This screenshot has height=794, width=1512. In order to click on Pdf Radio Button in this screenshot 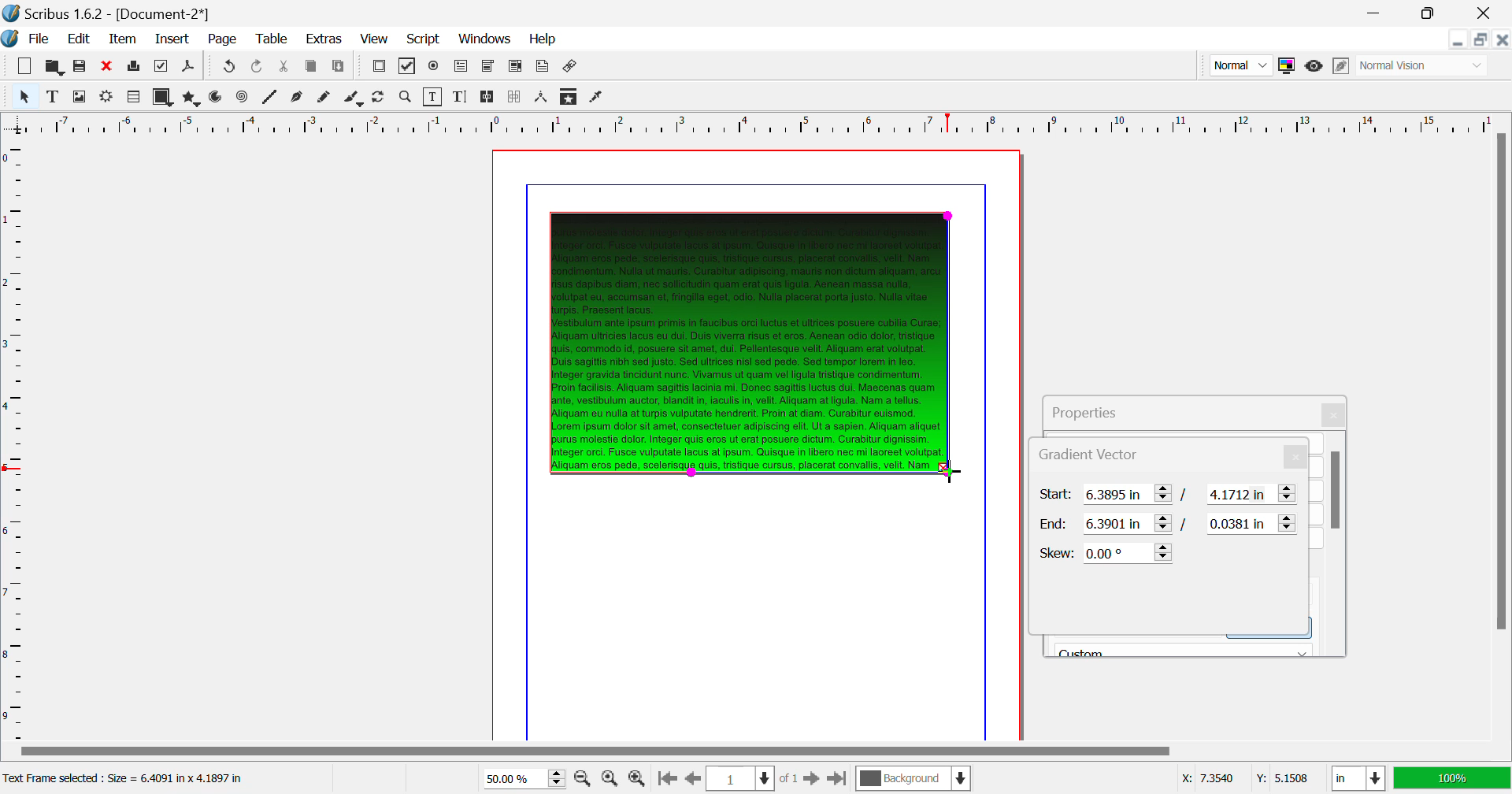, I will do `click(434, 68)`.